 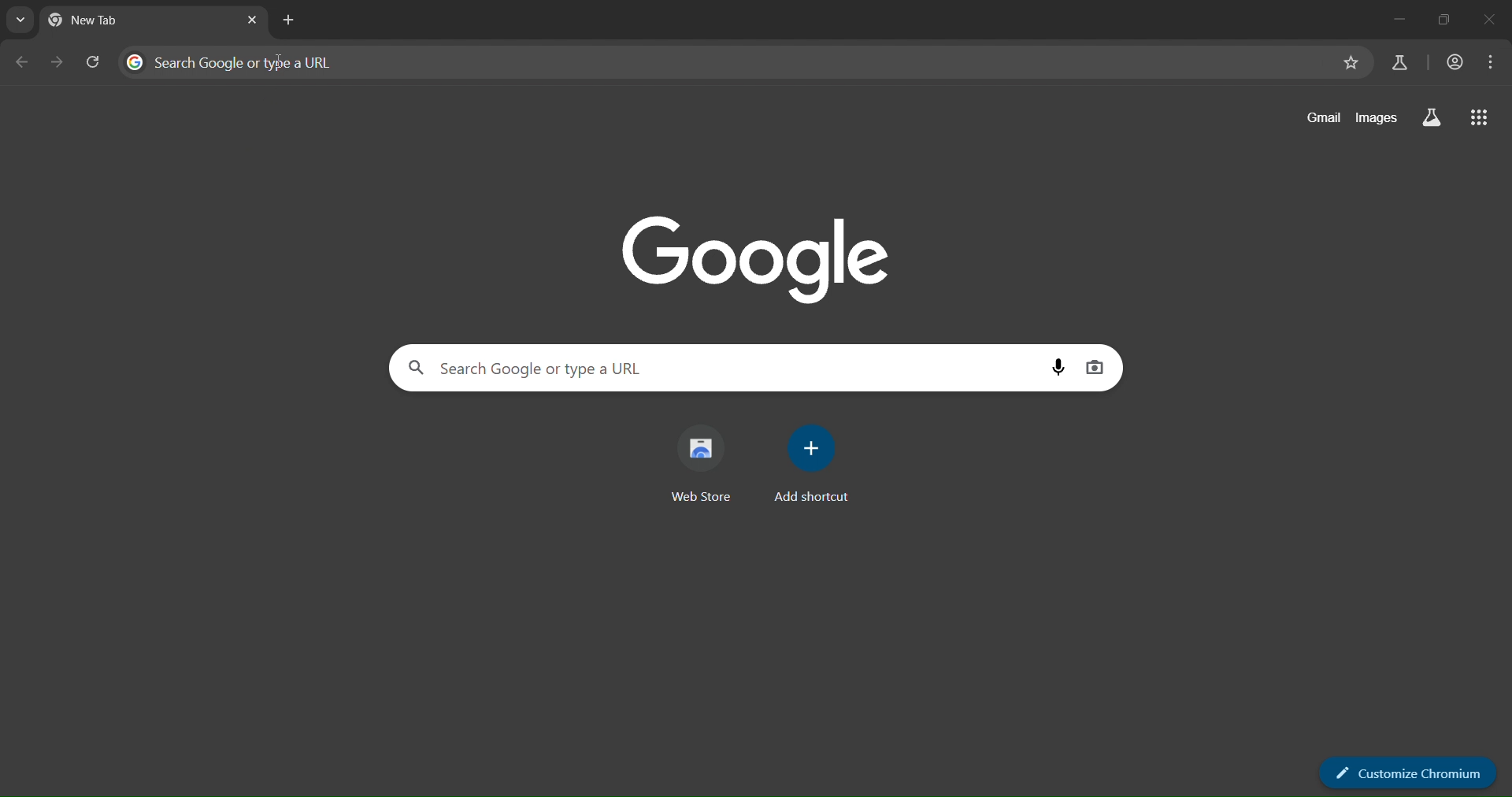 I want to click on bookmark pages, so click(x=1350, y=65).